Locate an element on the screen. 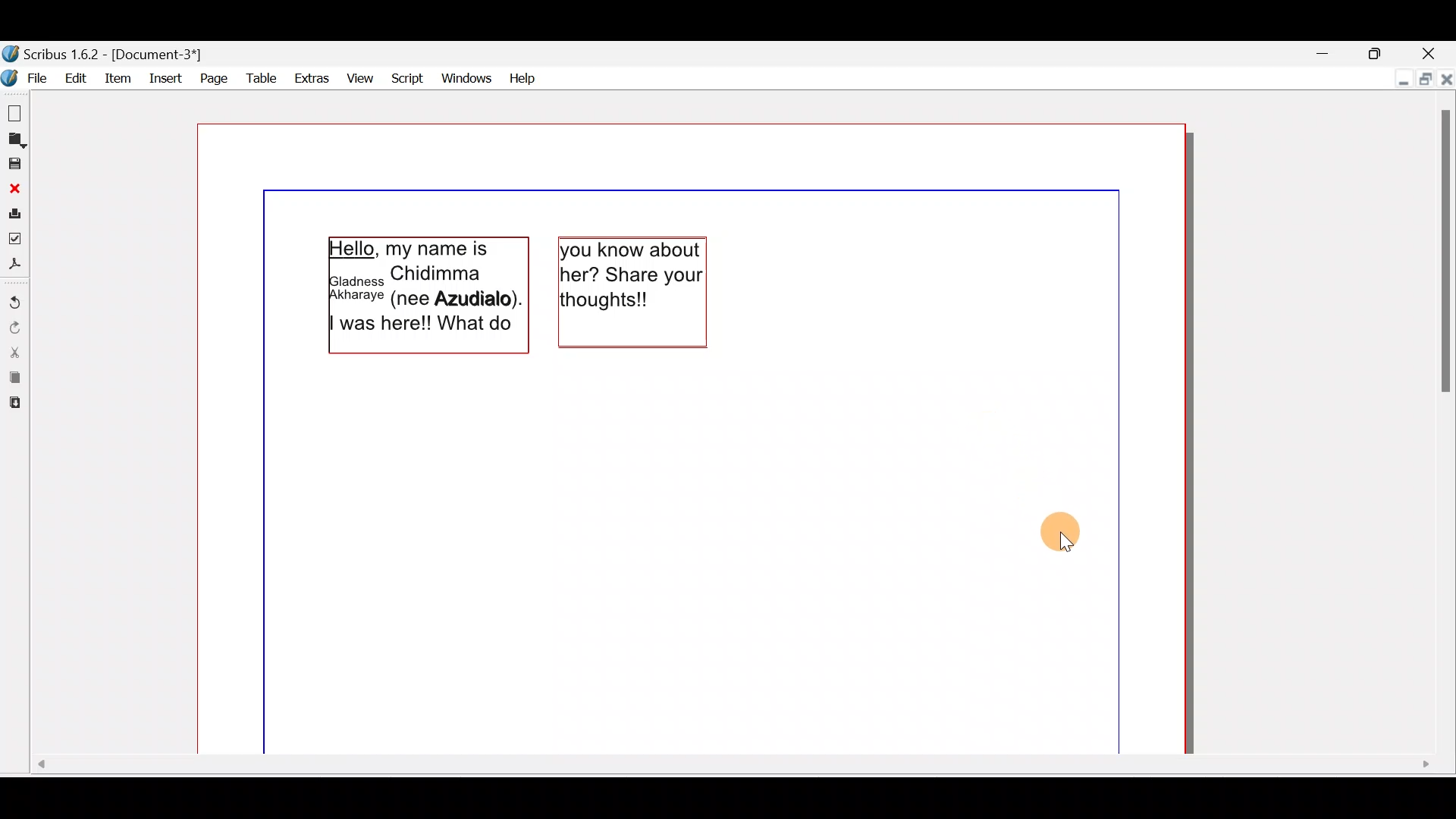  Scroll bar is located at coordinates (1442, 425).